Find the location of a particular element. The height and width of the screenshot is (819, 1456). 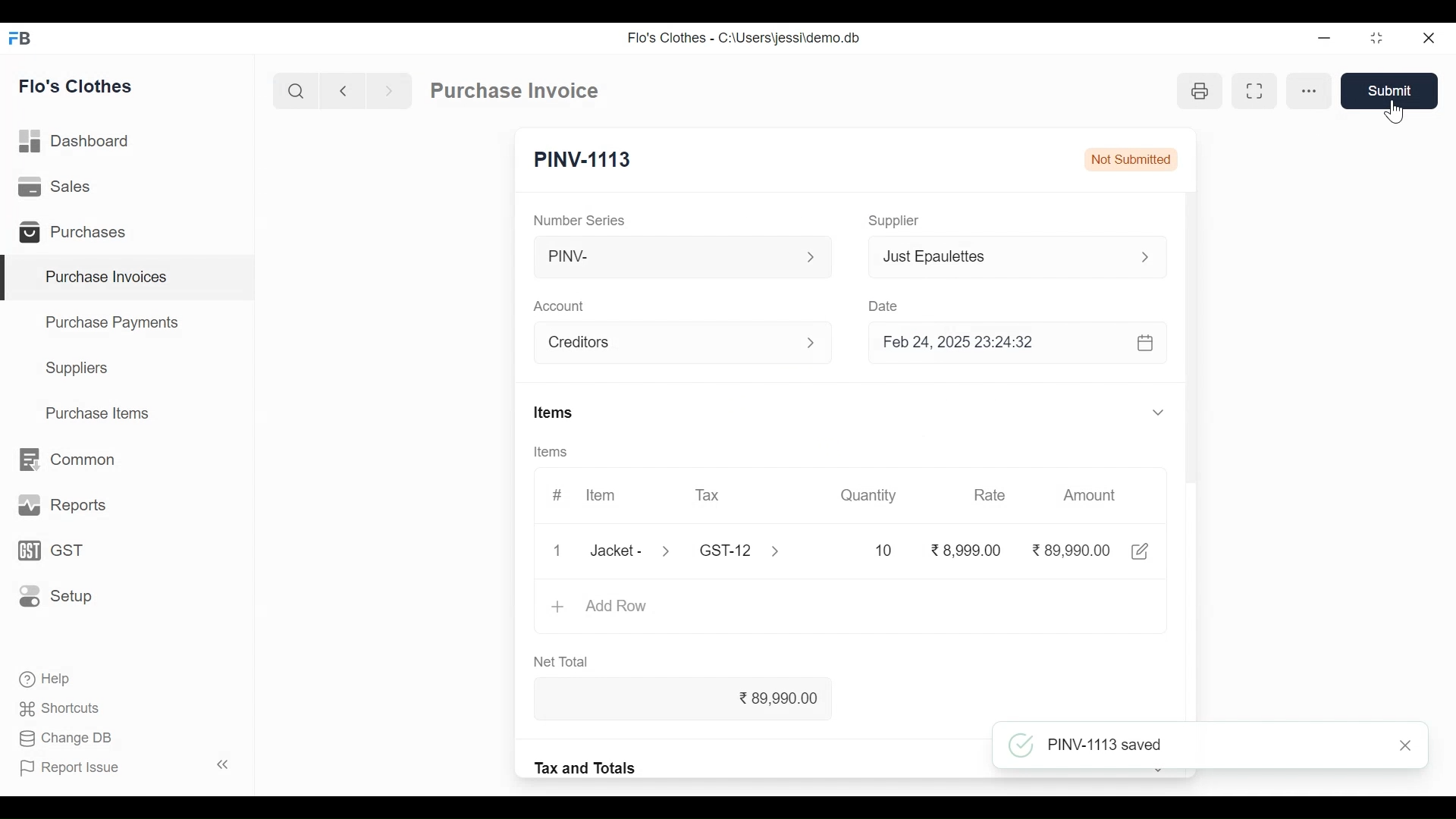

Flo's Clothes is located at coordinates (78, 86).